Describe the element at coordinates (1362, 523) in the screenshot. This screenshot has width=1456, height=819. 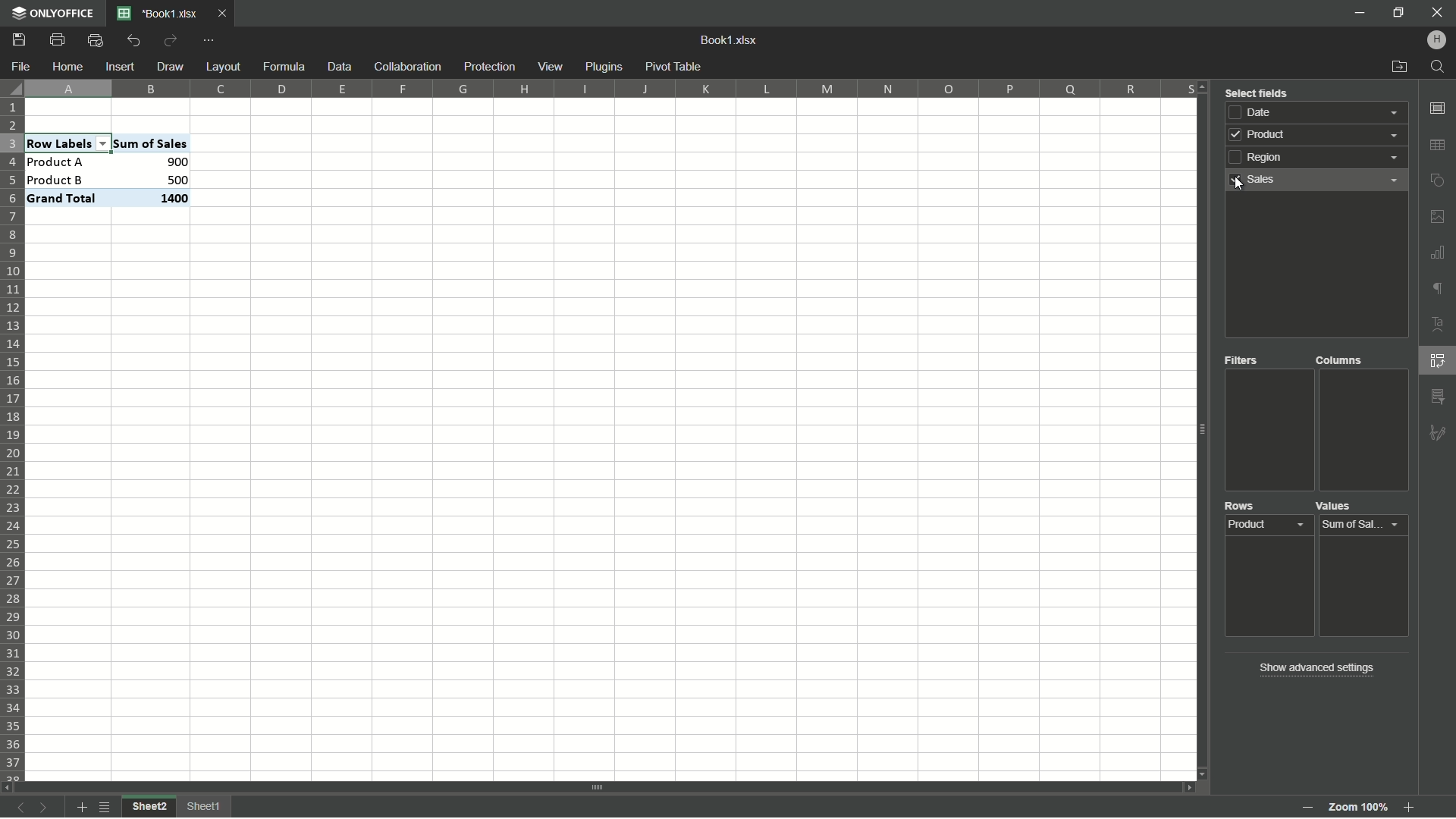
I see `Sum of sales` at that location.